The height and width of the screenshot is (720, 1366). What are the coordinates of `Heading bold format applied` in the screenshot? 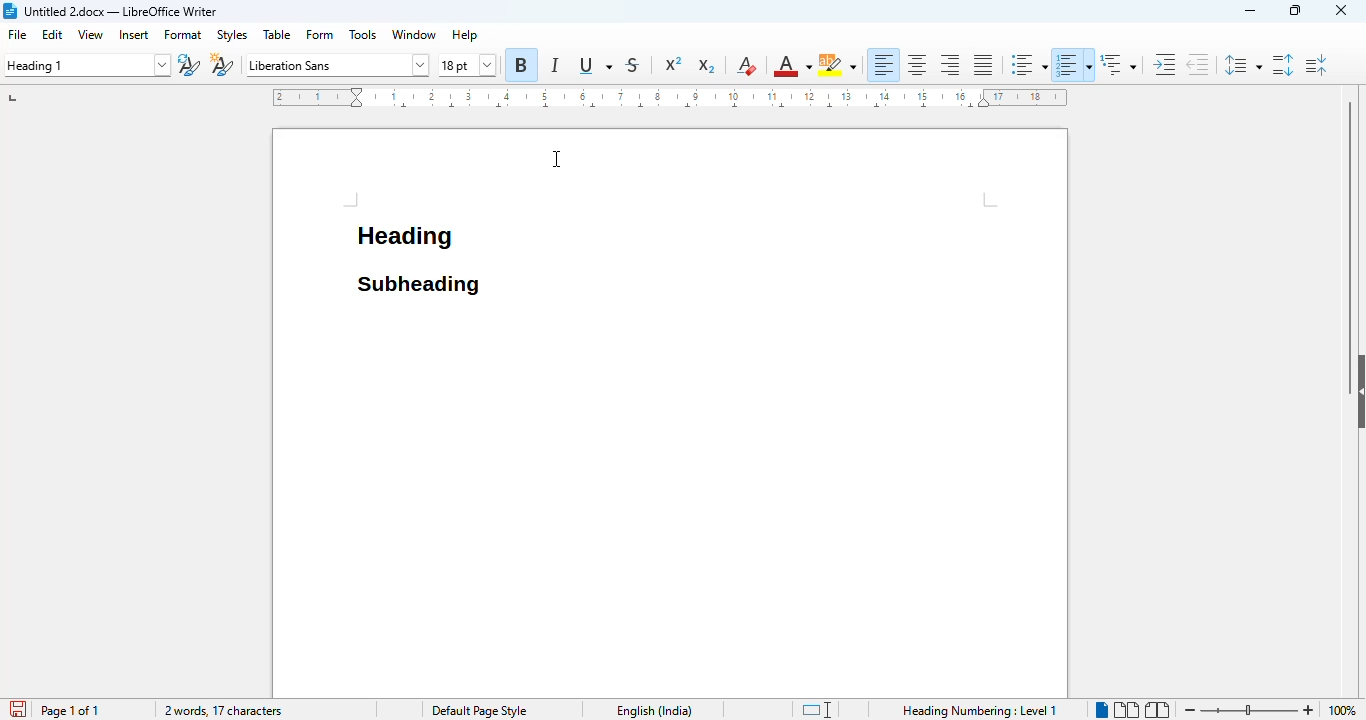 It's located at (406, 242).